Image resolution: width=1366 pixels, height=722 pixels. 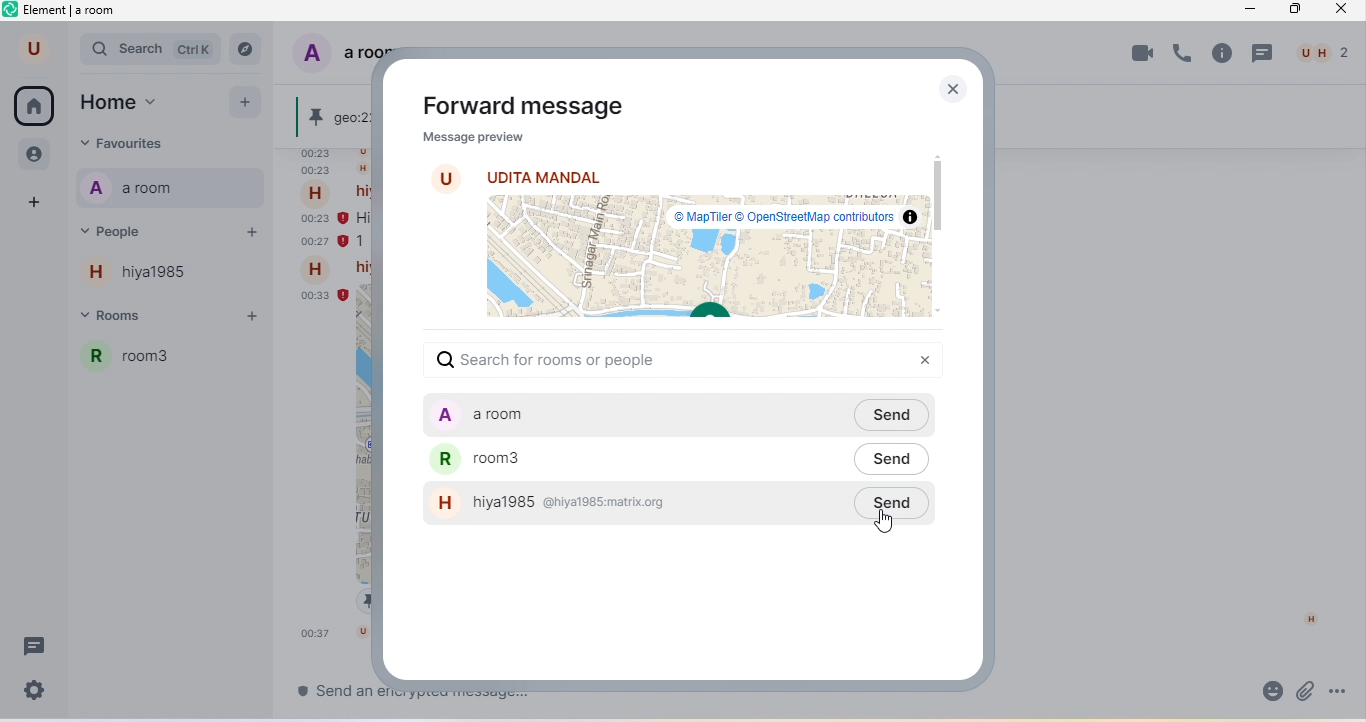 I want to click on people, so click(x=32, y=155).